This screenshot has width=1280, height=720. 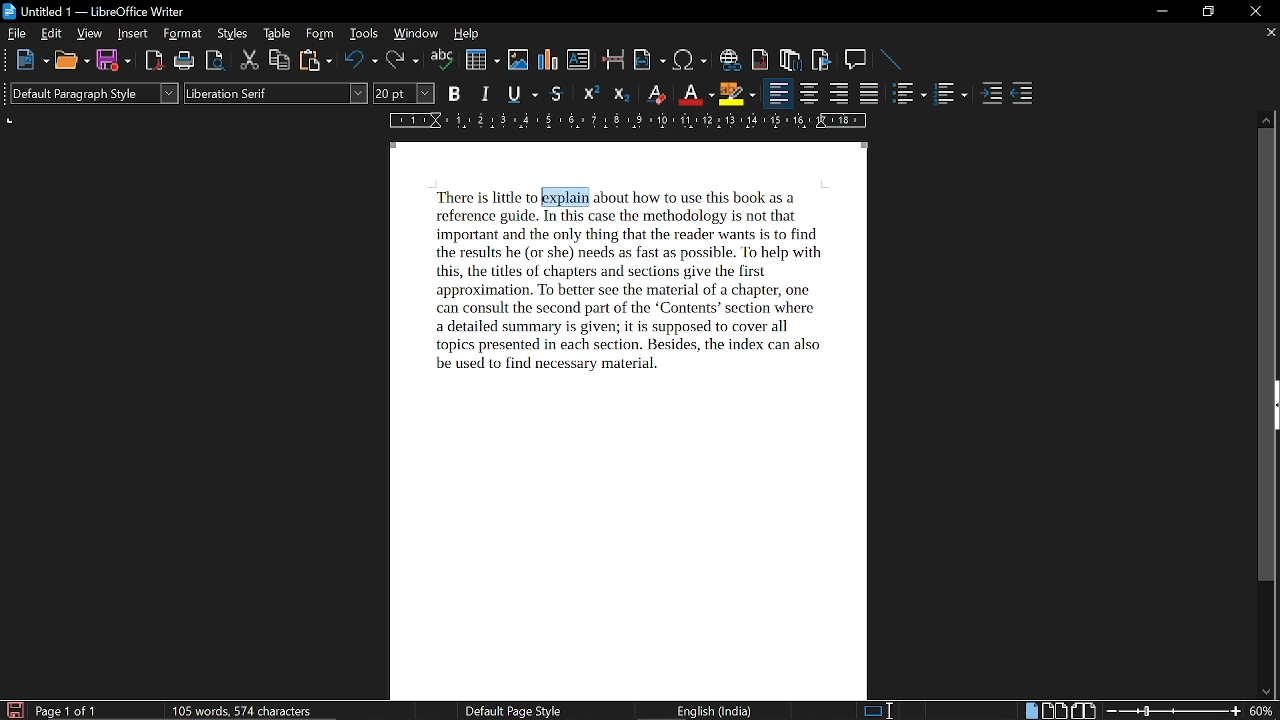 What do you see at coordinates (519, 59) in the screenshot?
I see `insert image` at bounding box center [519, 59].